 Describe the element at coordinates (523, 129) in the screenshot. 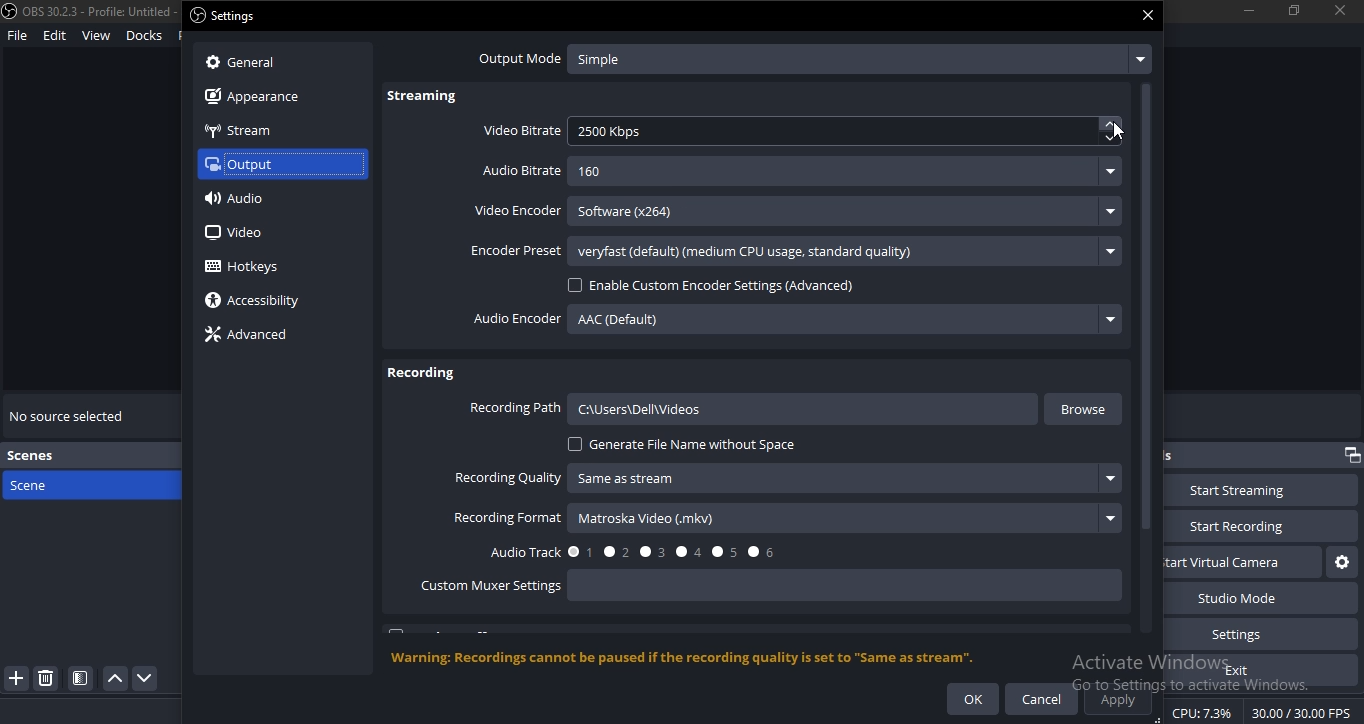

I see `video bitrate ` at that location.